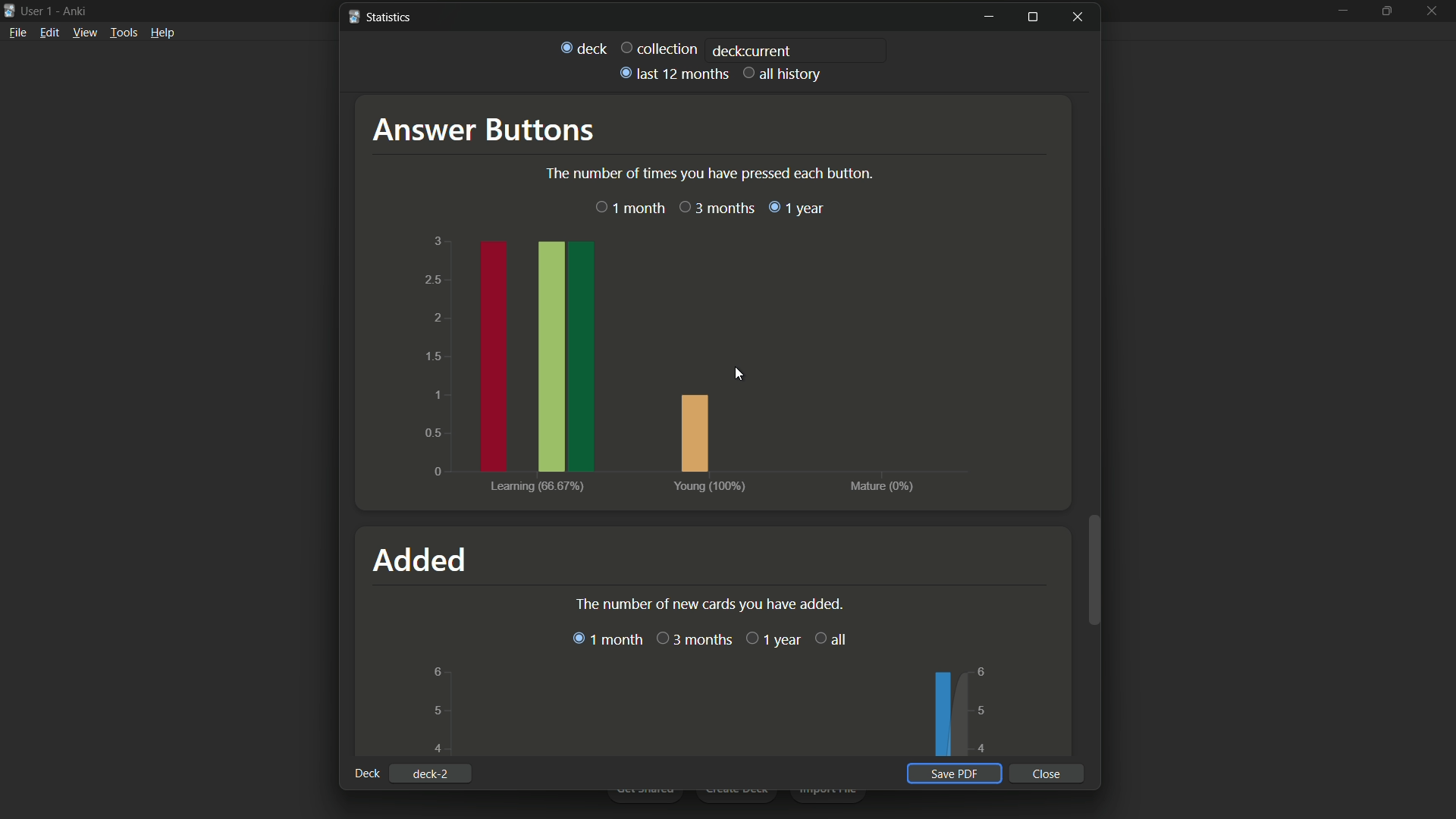 The width and height of the screenshot is (1456, 819). I want to click on Logo, so click(9, 11).